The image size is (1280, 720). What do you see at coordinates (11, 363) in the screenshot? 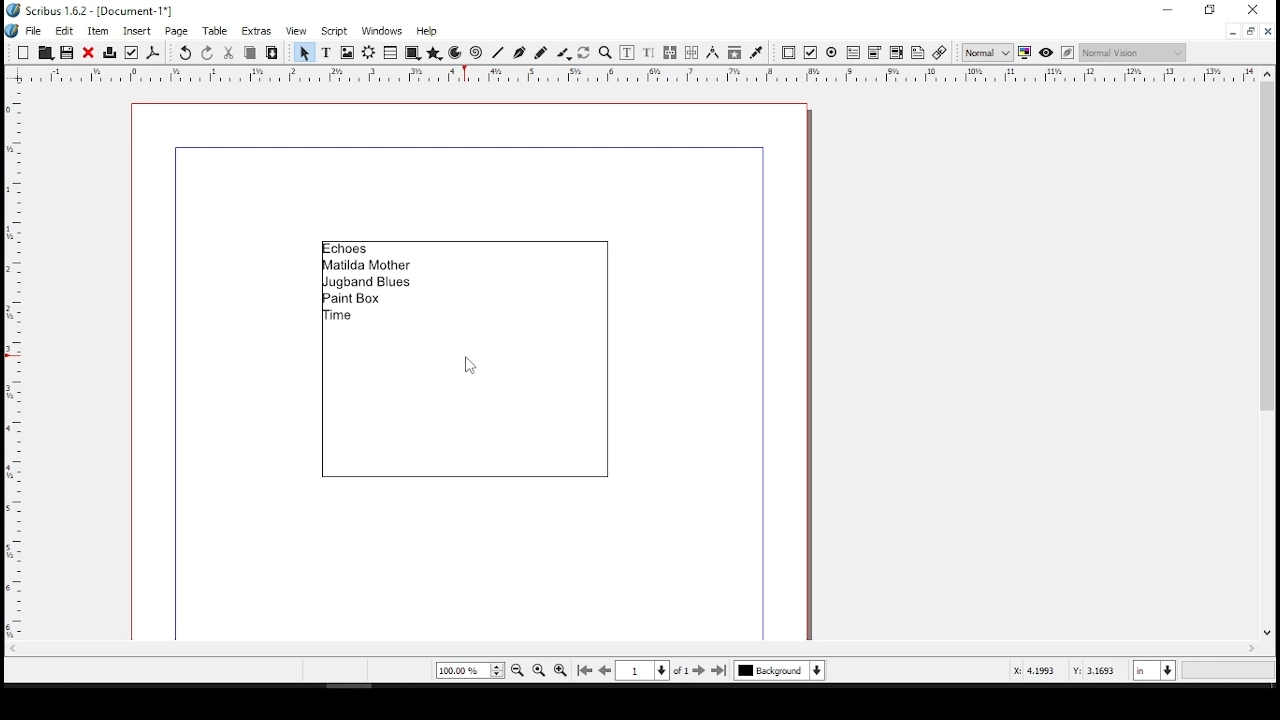
I see `vertical scale` at bounding box center [11, 363].